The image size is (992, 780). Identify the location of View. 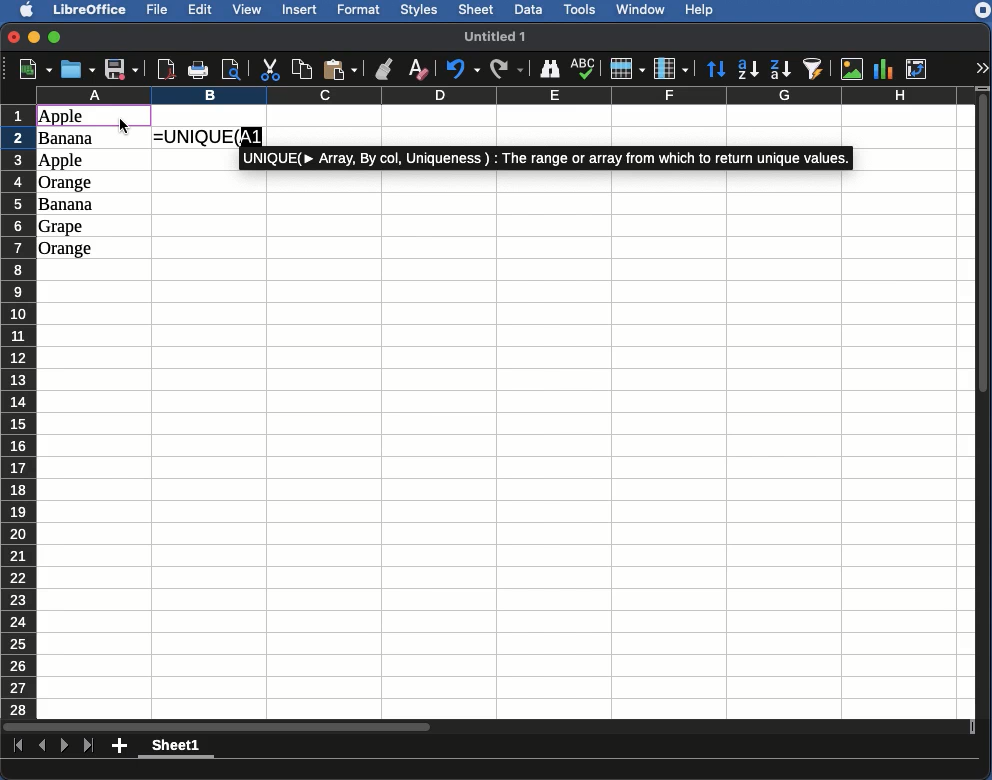
(249, 11).